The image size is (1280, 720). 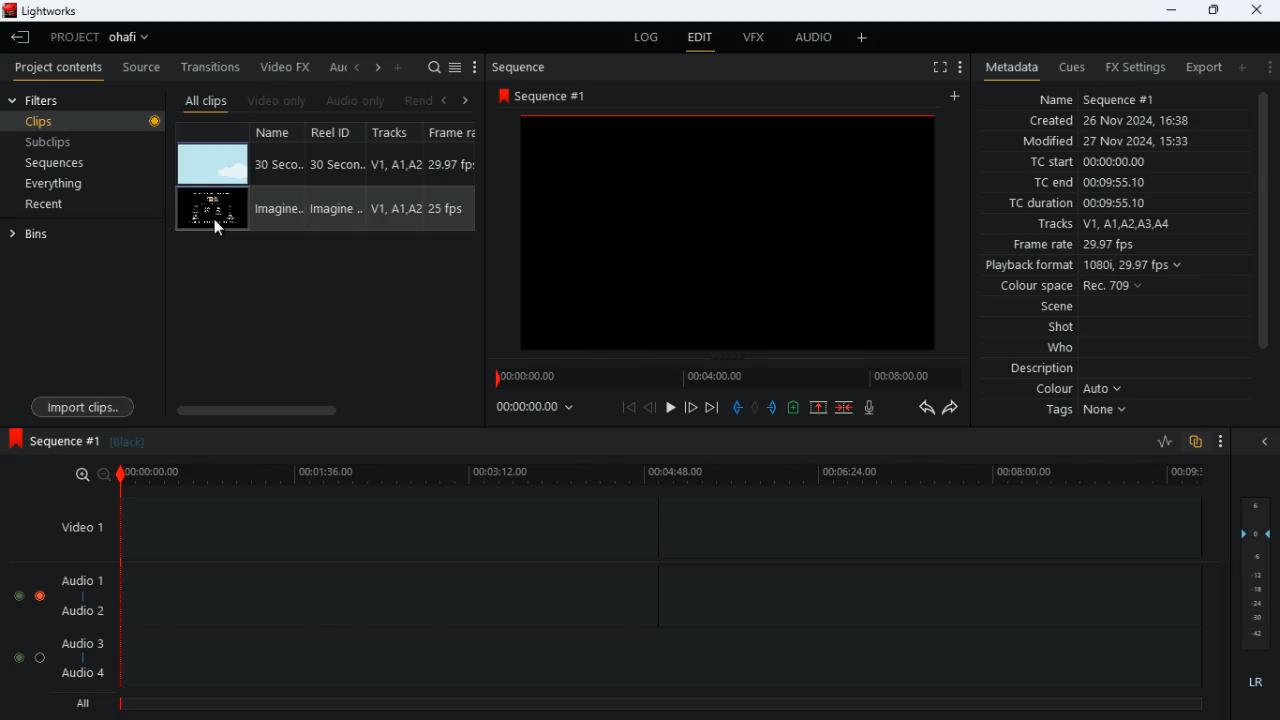 I want to click on Name, so click(x=278, y=164).